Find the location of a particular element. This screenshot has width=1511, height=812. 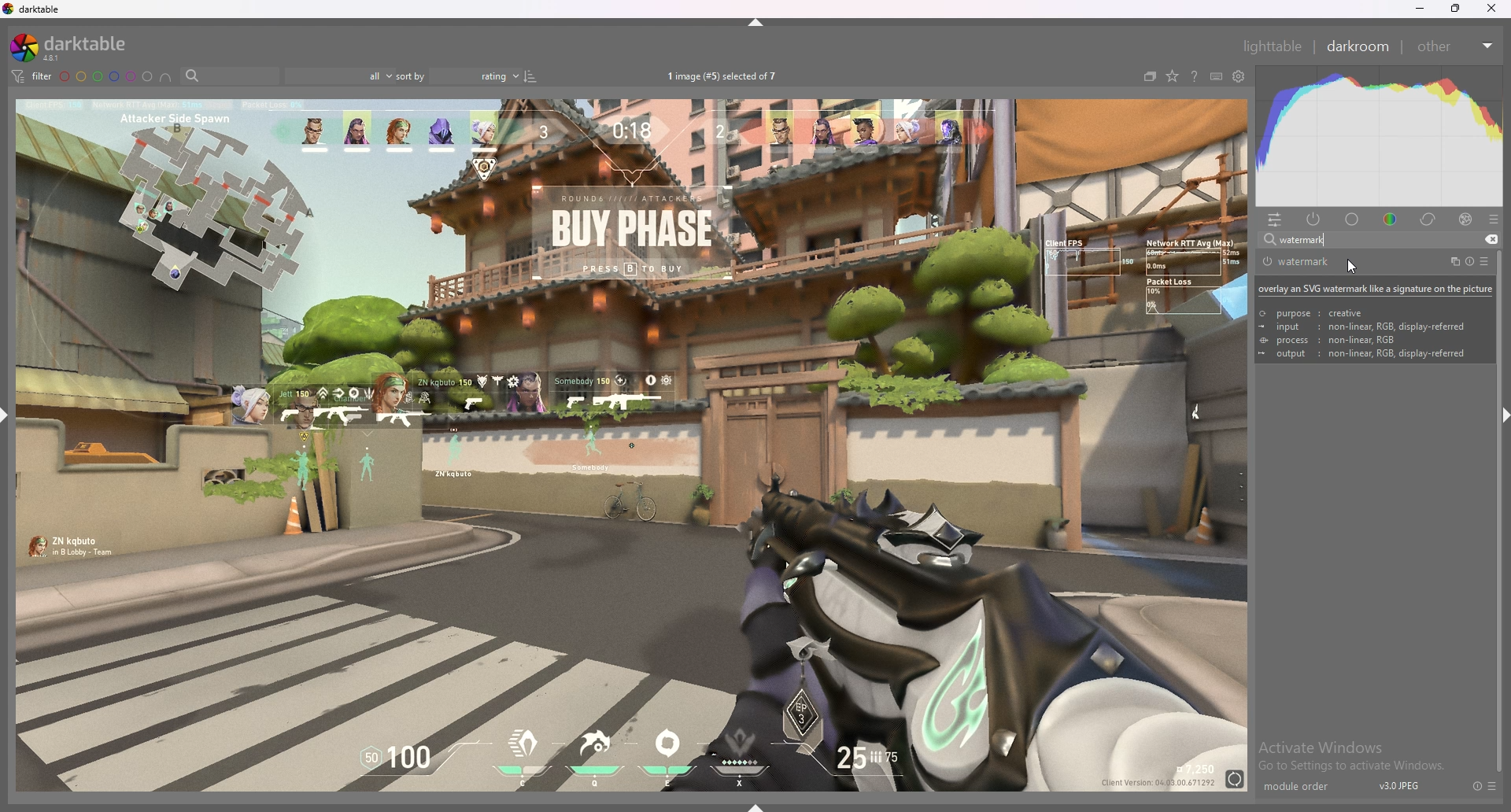

close is located at coordinates (1491, 9).